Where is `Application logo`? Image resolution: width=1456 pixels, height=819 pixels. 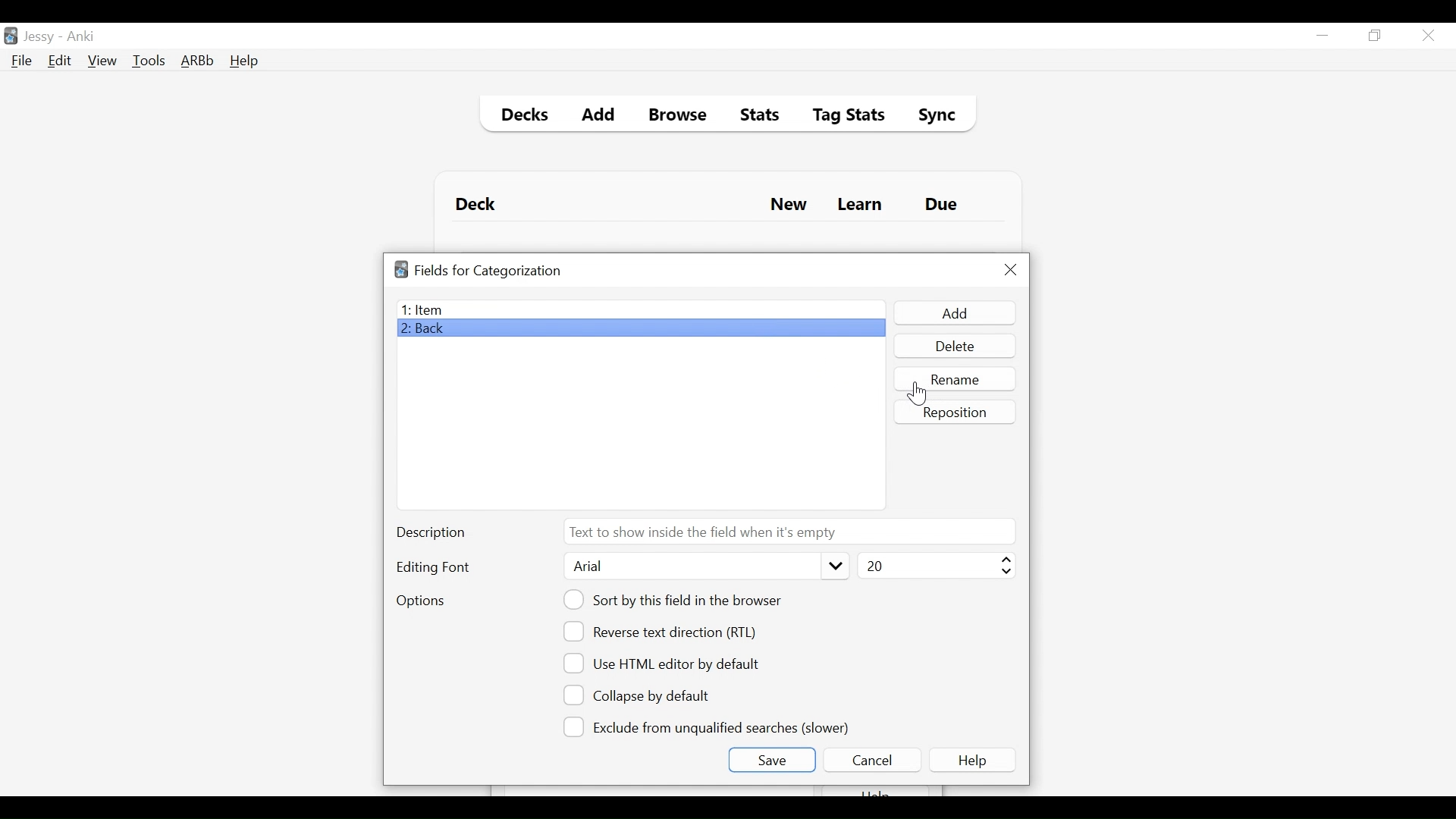
Application logo is located at coordinates (401, 269).